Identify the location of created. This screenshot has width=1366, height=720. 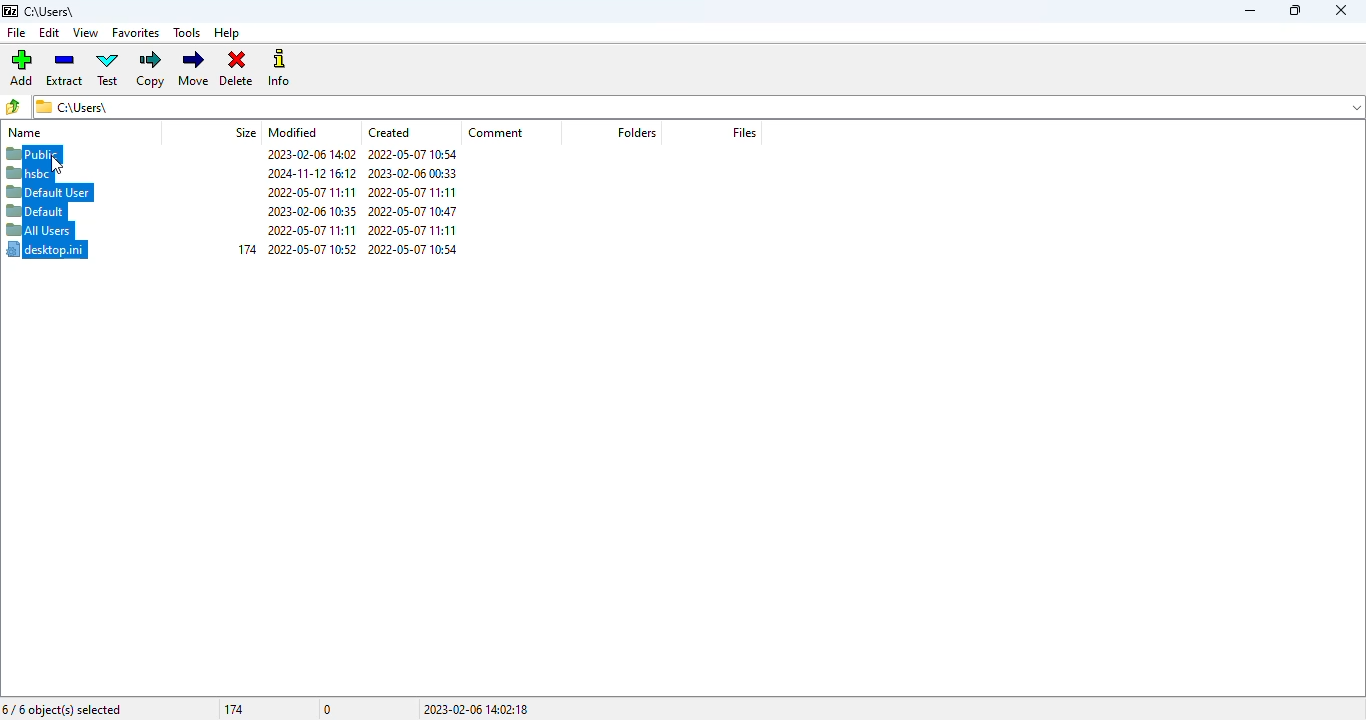
(388, 132).